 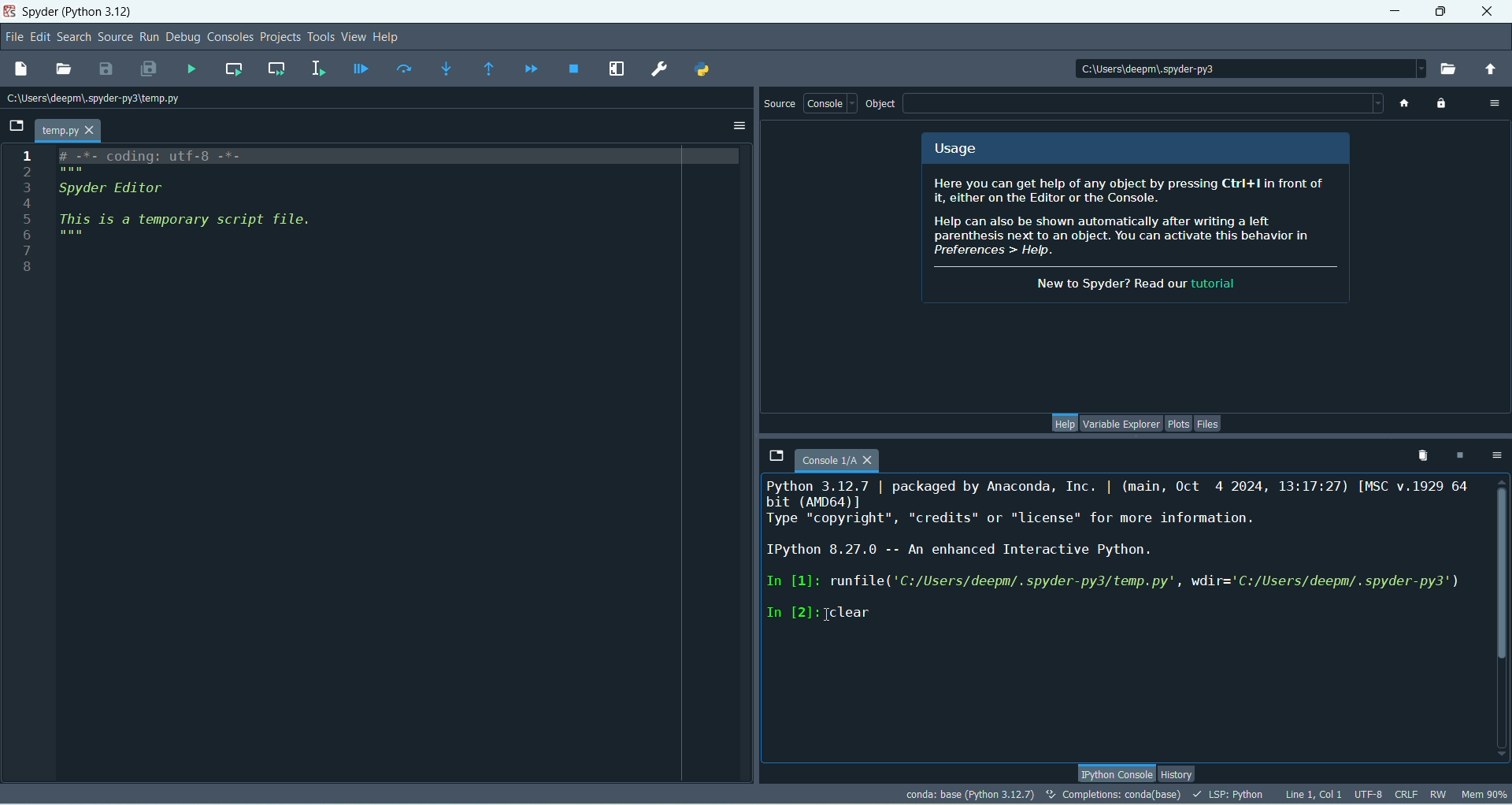 What do you see at coordinates (821, 612) in the screenshot?
I see `In [2]:clear` at bounding box center [821, 612].